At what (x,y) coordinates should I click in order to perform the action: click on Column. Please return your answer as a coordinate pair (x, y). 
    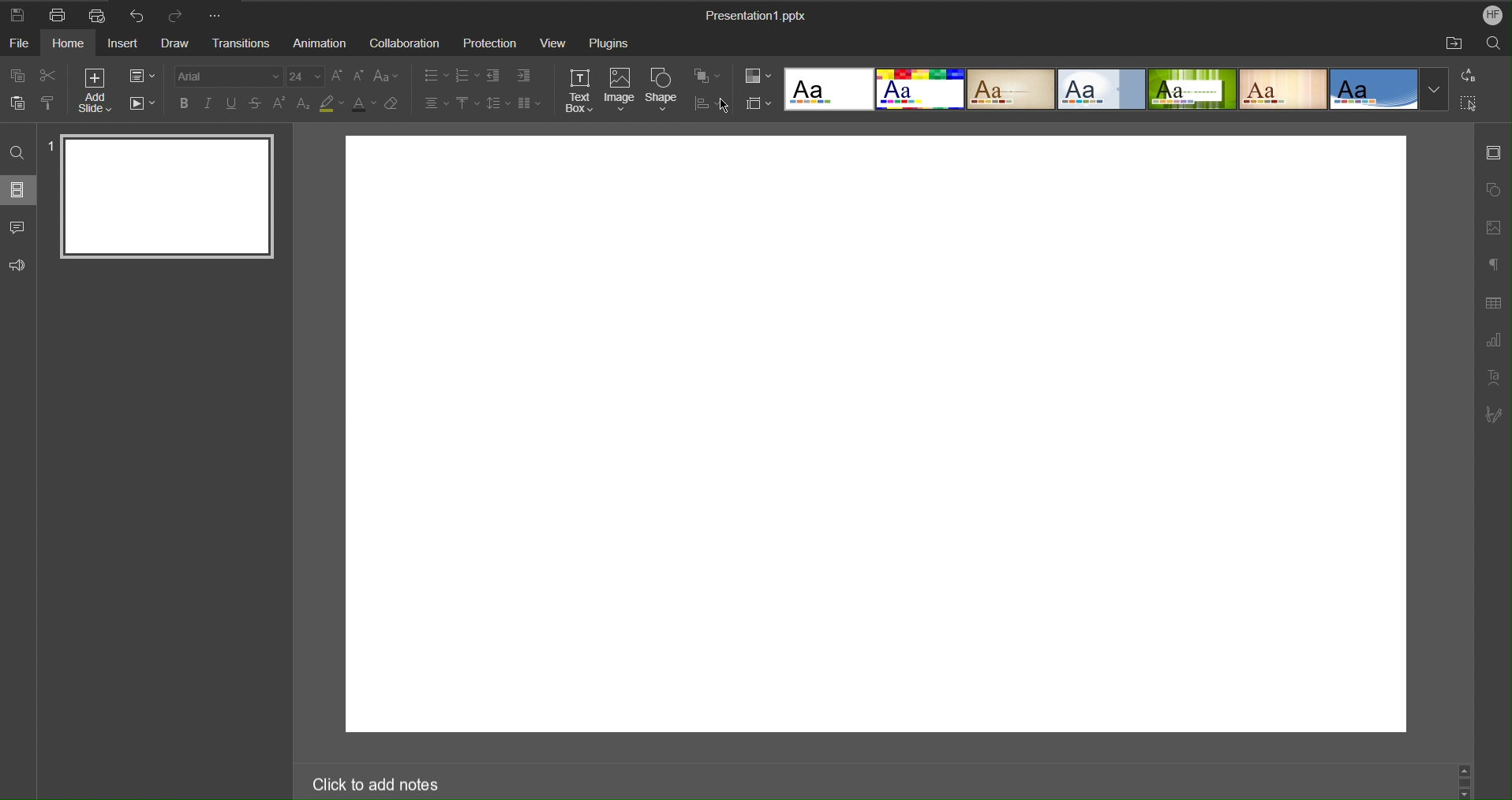
    Looking at the image, I should click on (530, 105).